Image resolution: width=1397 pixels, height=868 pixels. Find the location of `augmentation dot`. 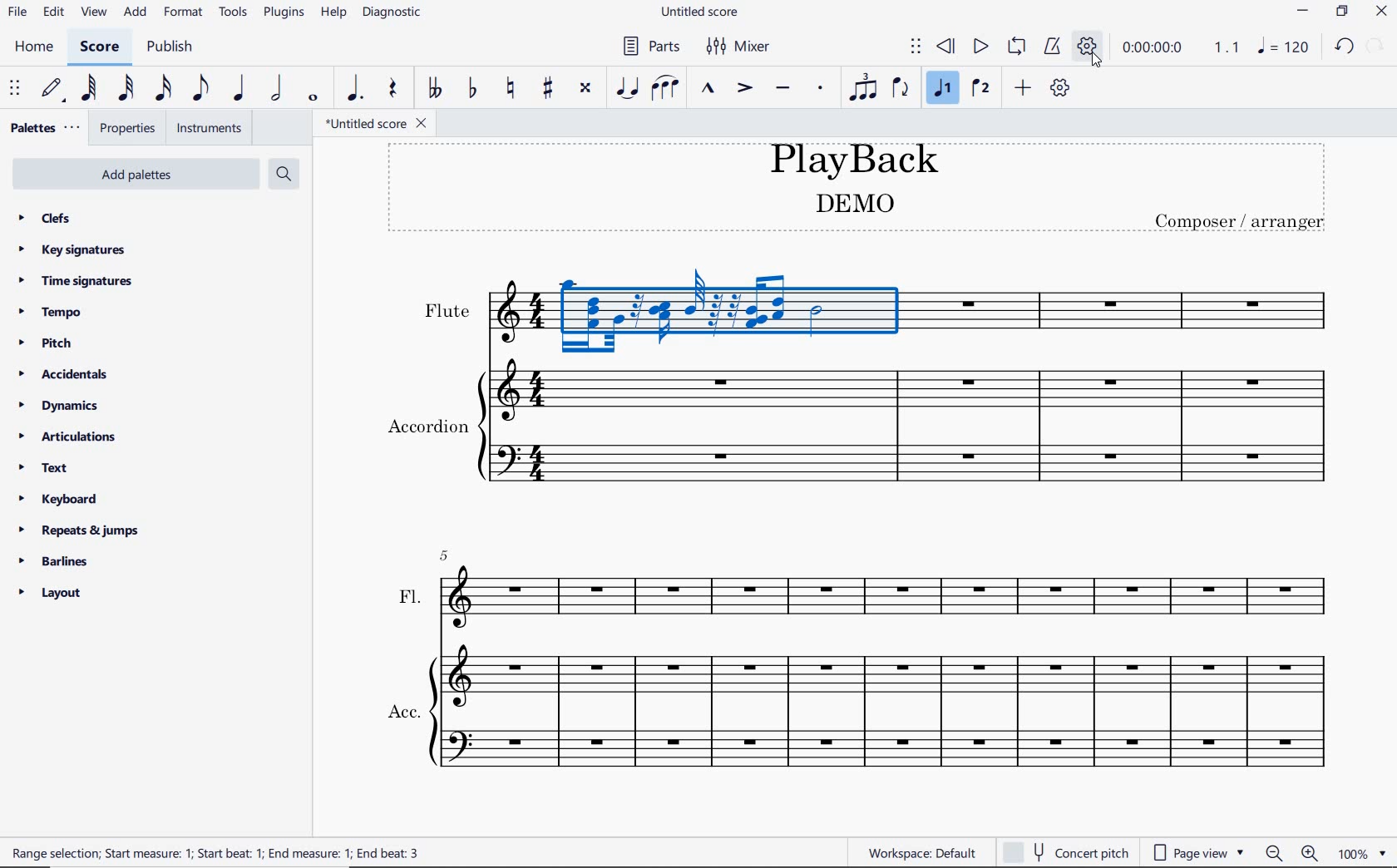

augmentation dot is located at coordinates (357, 88).